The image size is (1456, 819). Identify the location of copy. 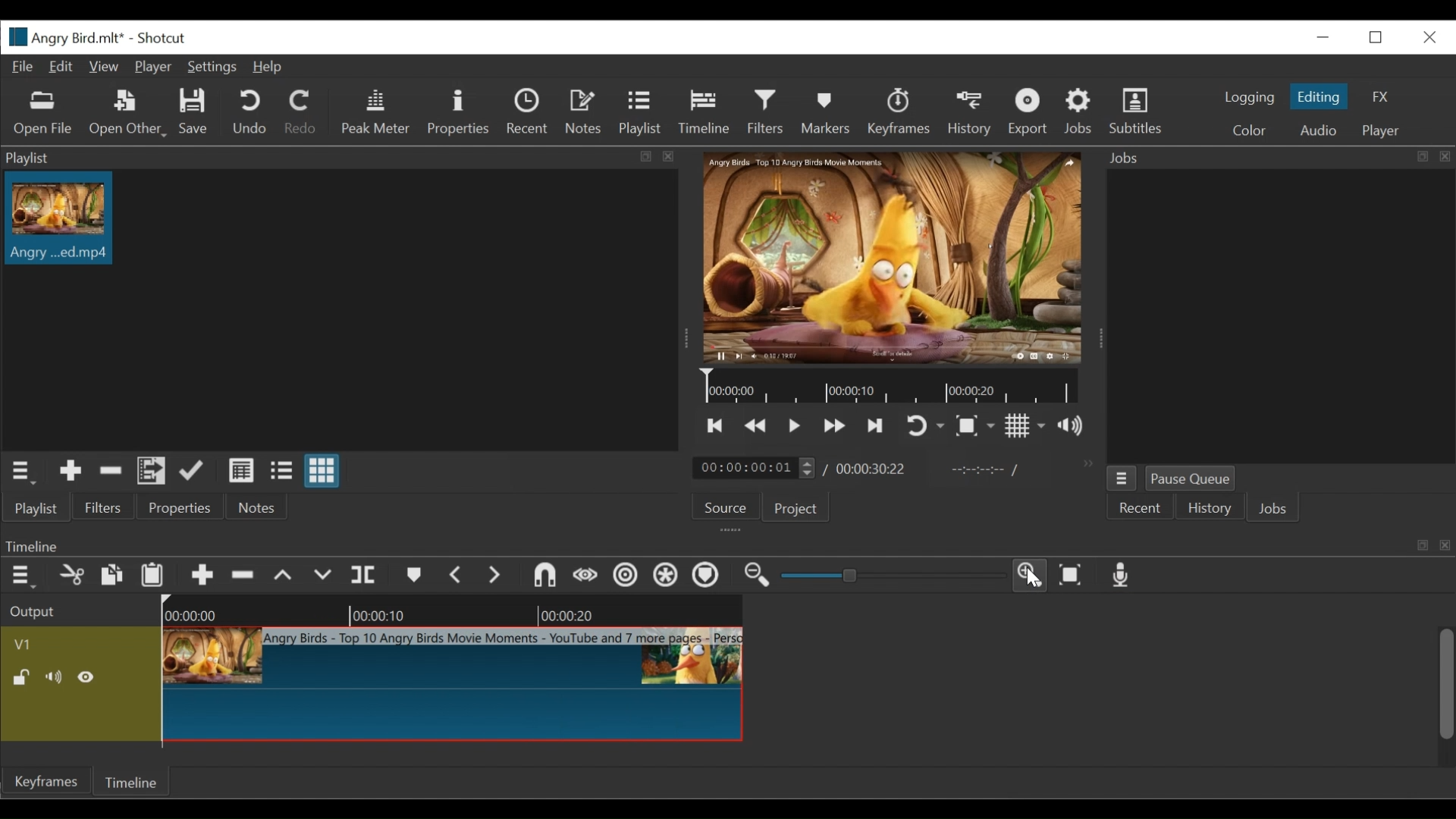
(111, 576).